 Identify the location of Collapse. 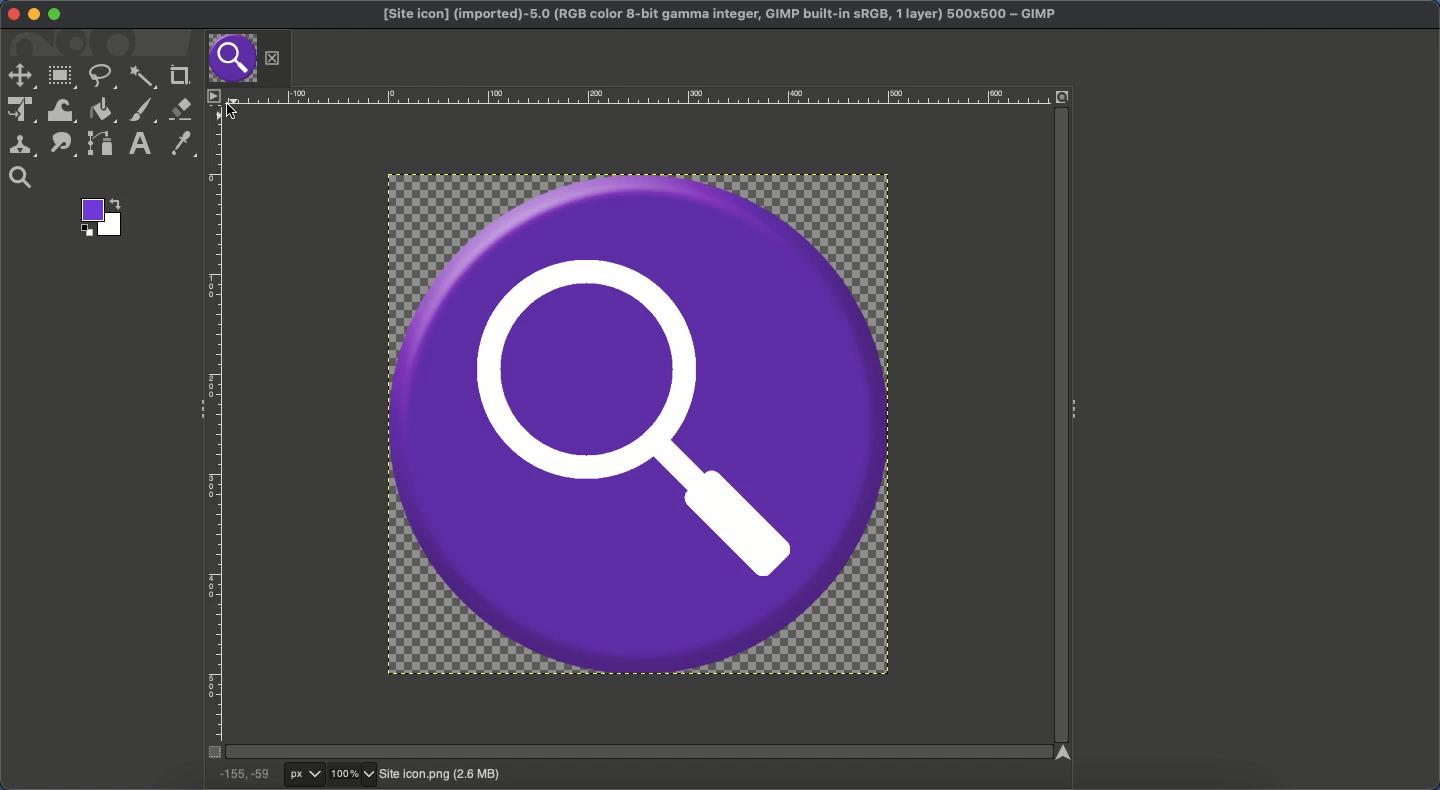
(196, 407).